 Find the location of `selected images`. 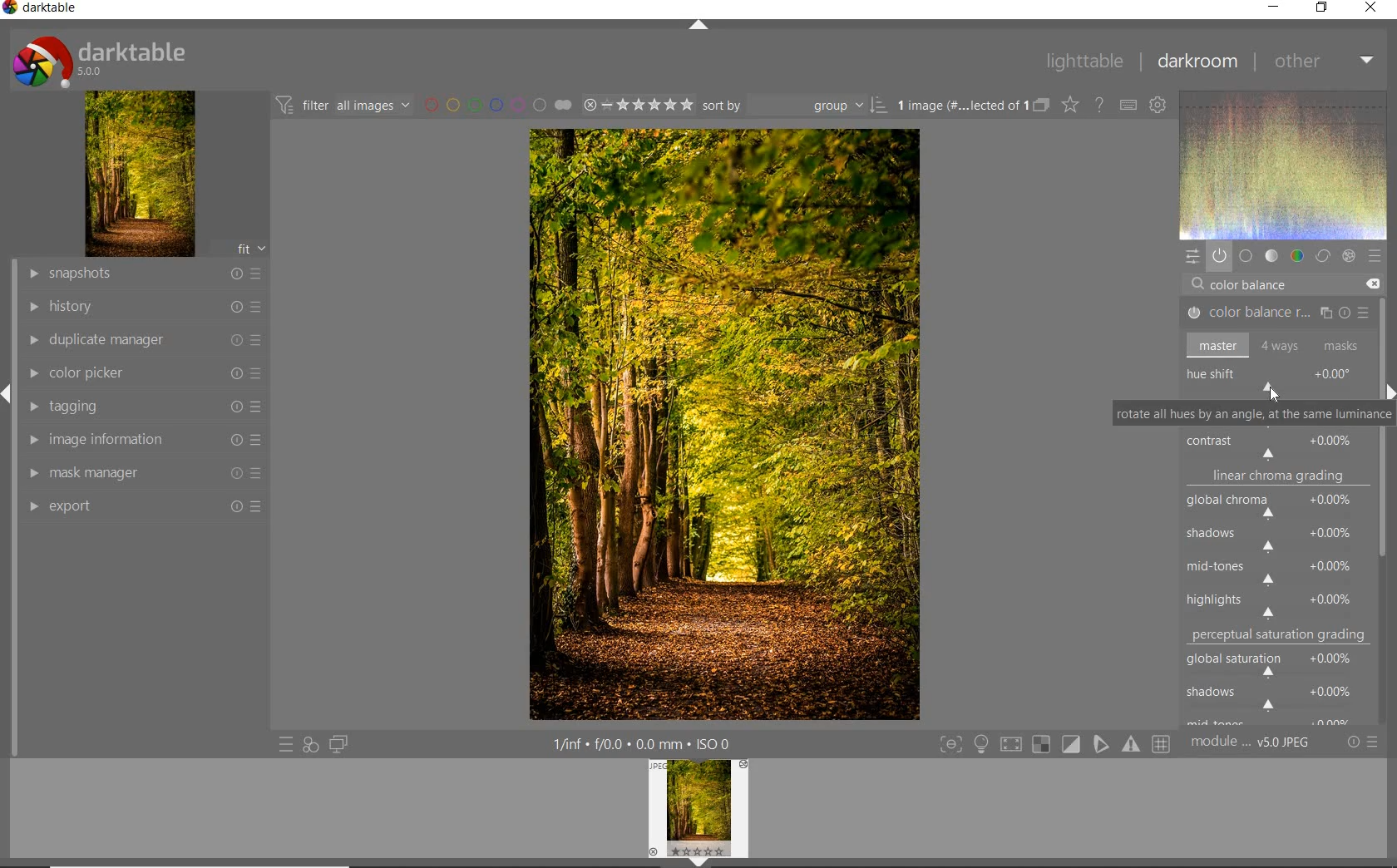

selected images is located at coordinates (959, 106).